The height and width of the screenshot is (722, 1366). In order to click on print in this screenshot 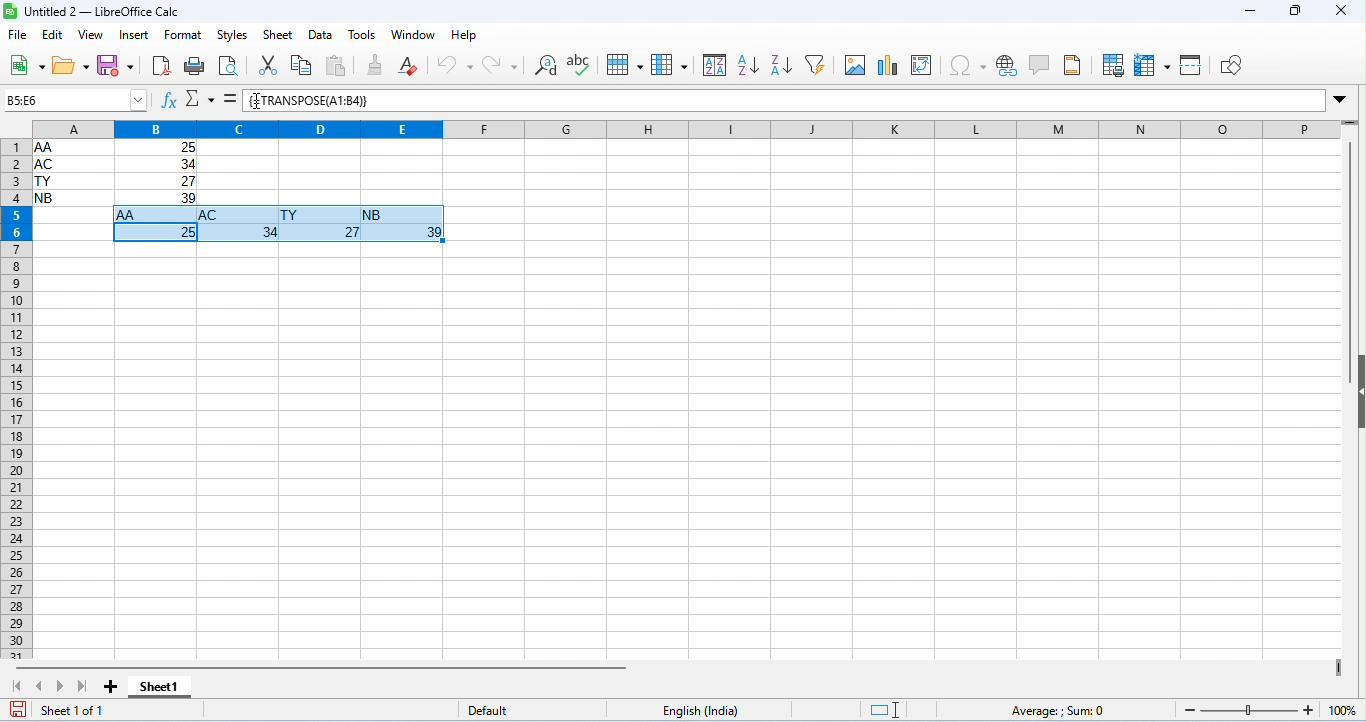, I will do `click(193, 68)`.